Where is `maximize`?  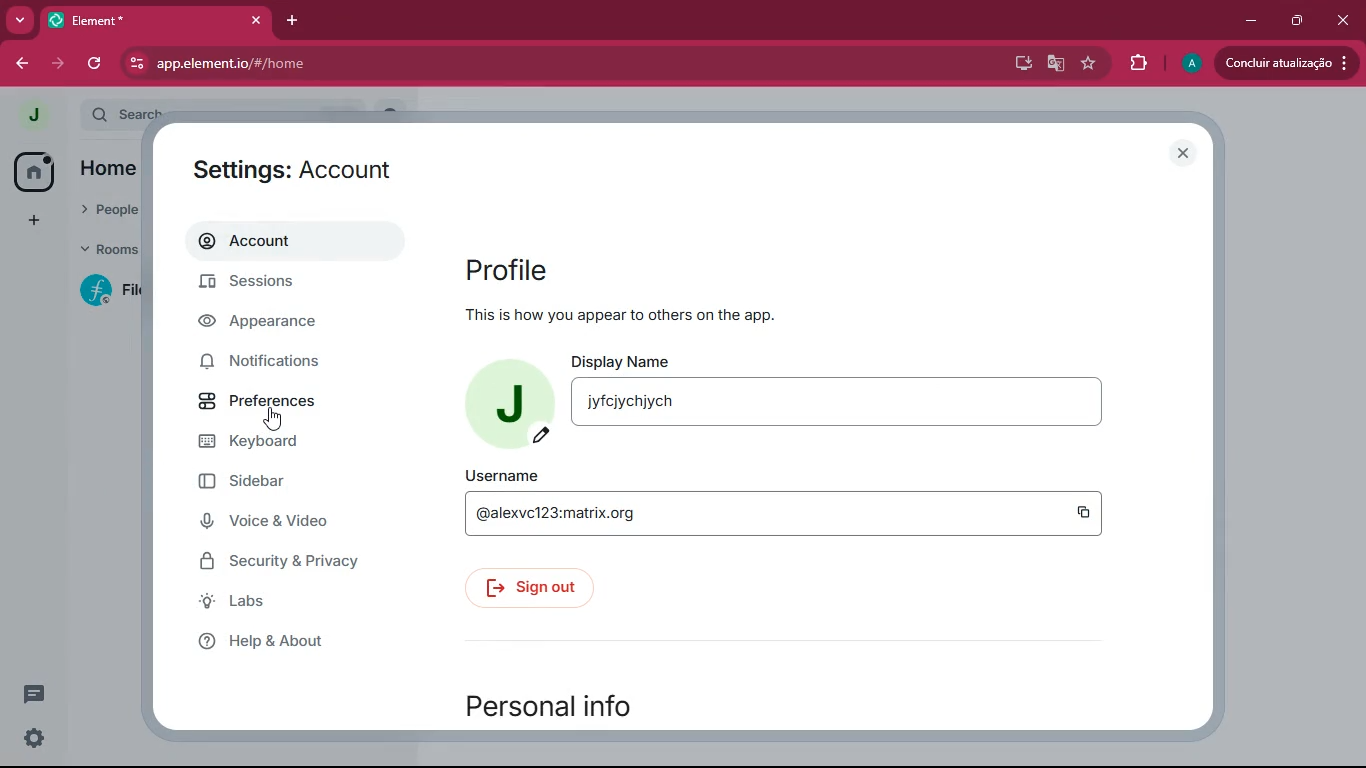 maximize is located at coordinates (1299, 22).